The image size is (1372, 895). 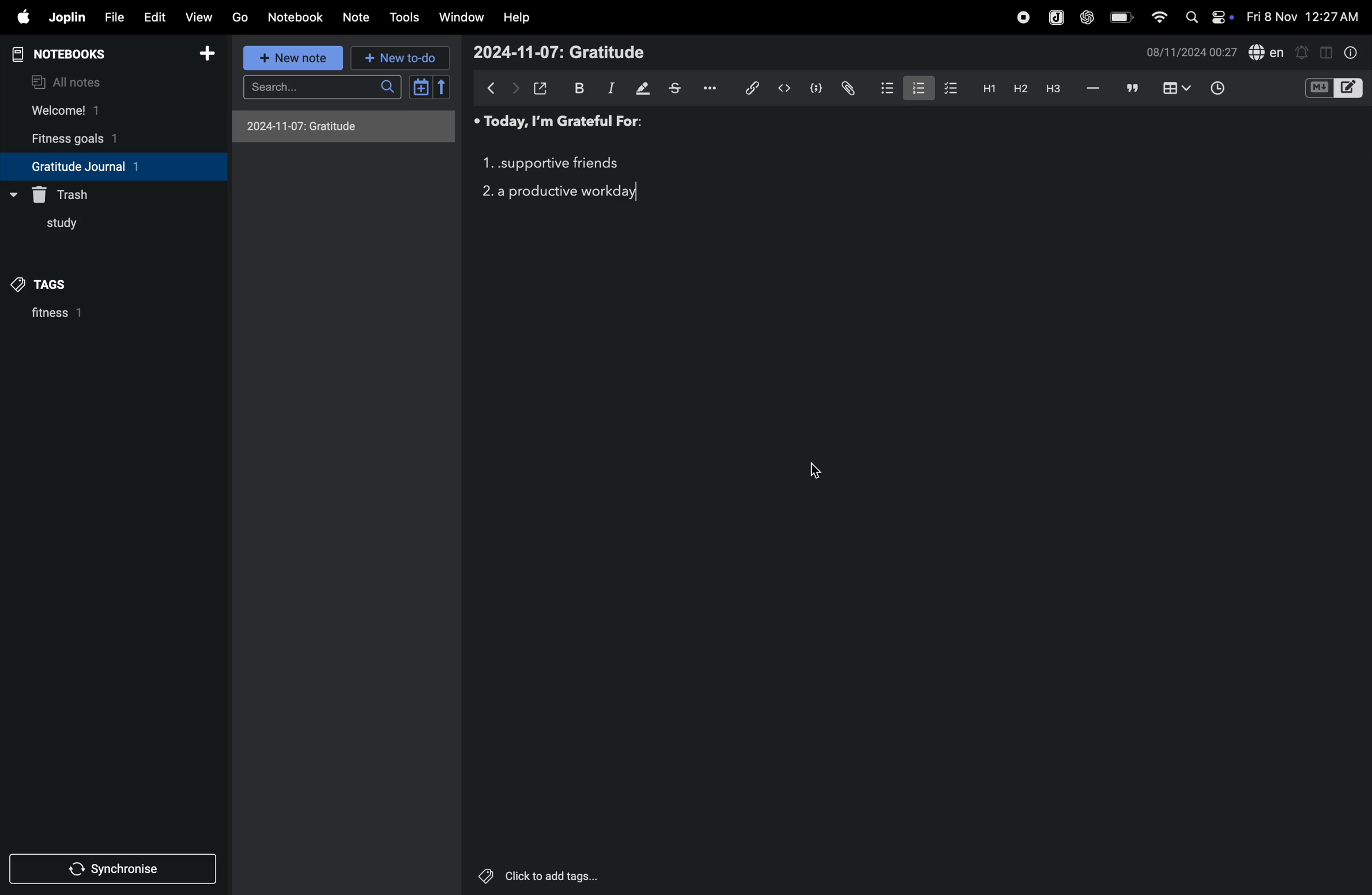 What do you see at coordinates (782, 89) in the screenshot?
I see `inline code` at bounding box center [782, 89].